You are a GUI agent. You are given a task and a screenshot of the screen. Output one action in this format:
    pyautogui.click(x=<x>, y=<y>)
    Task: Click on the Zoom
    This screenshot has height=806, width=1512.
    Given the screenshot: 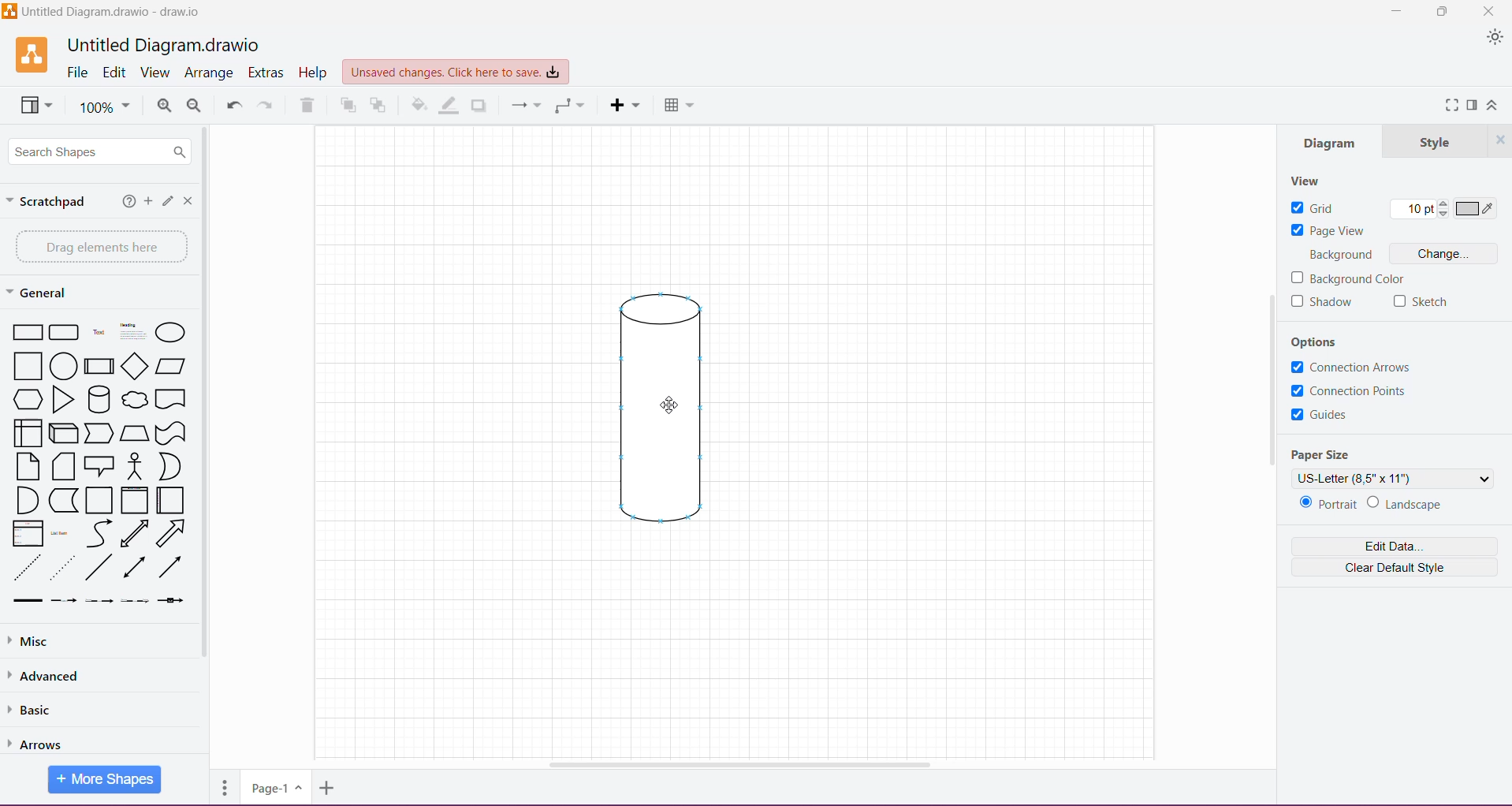 What is the action you would take?
    pyautogui.click(x=106, y=109)
    